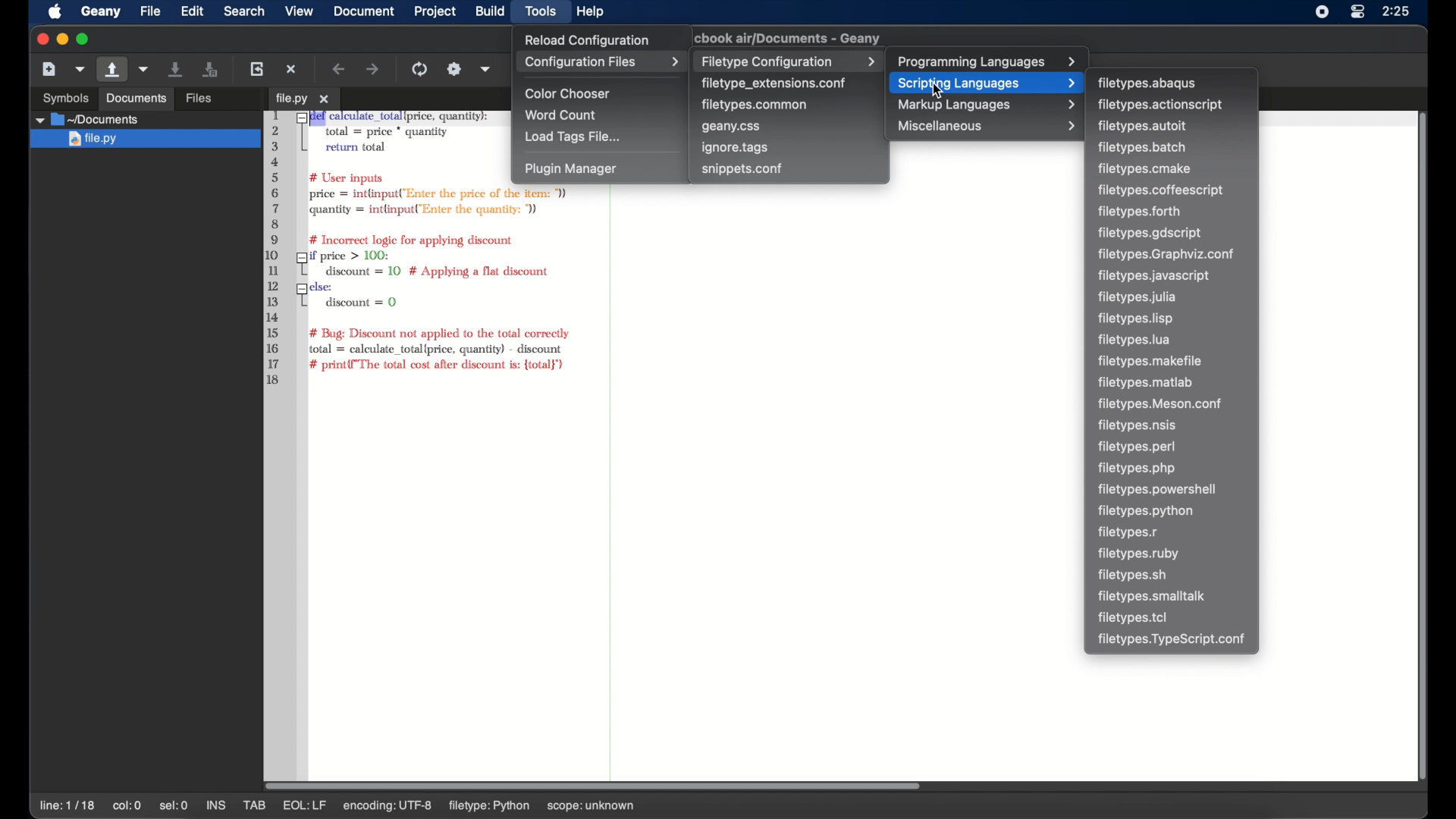 This screenshot has width=1456, height=819. What do you see at coordinates (222, 99) in the screenshot?
I see `open an existing file` at bounding box center [222, 99].